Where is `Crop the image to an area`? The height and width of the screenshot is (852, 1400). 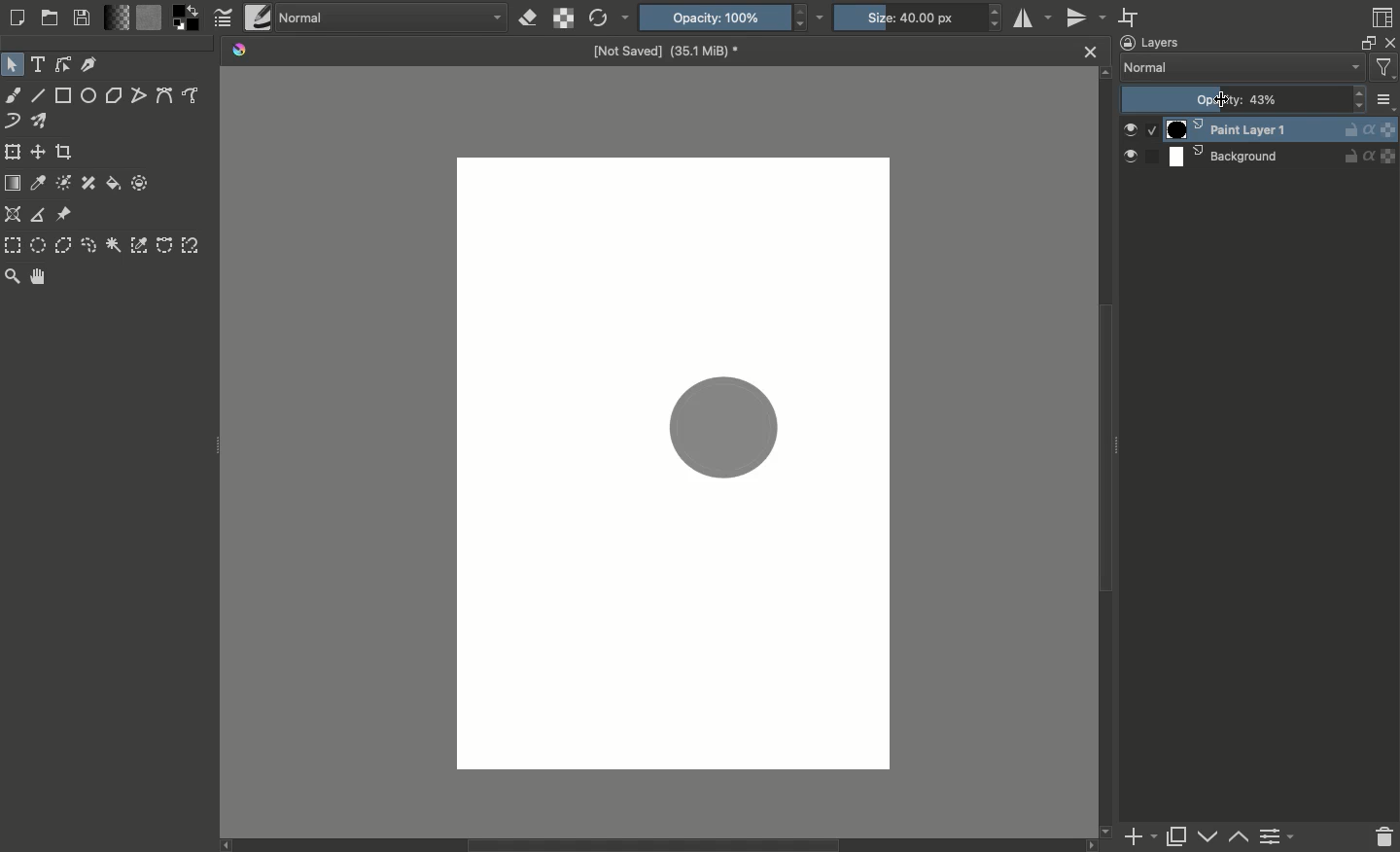 Crop the image to an area is located at coordinates (63, 151).